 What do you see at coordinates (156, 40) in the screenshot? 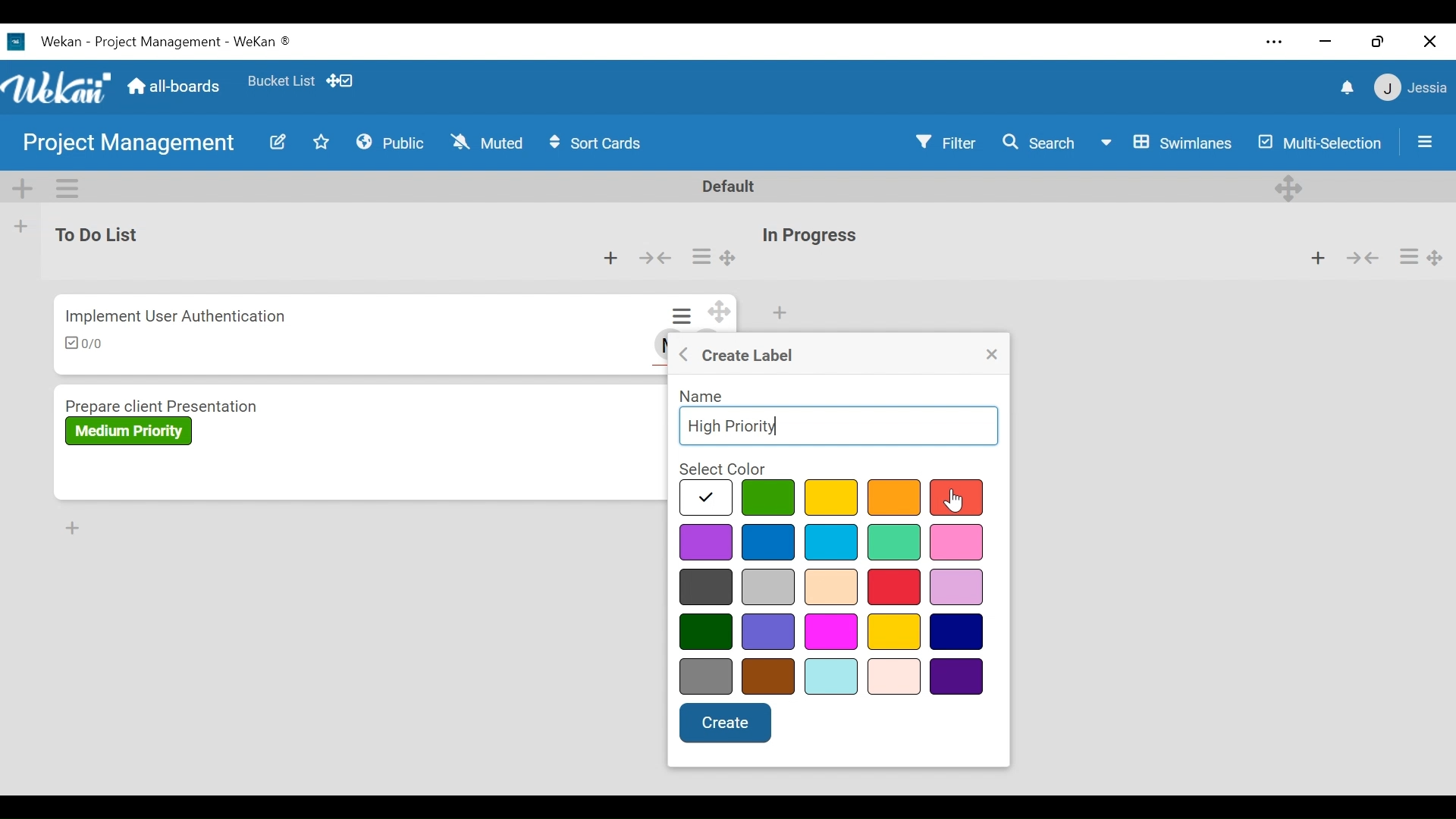
I see `Wekan Desktop Icon` at bounding box center [156, 40].